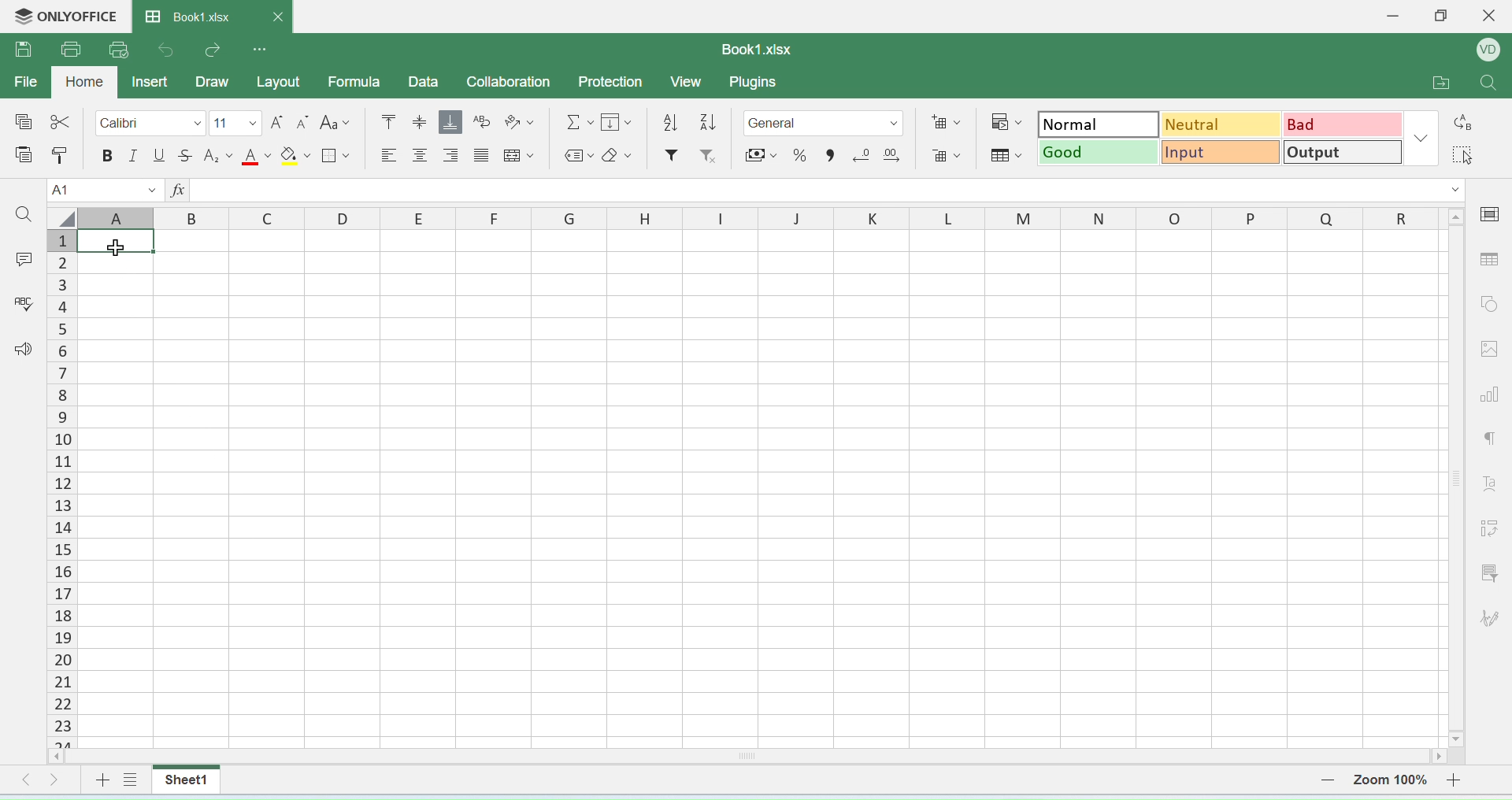  Describe the element at coordinates (945, 122) in the screenshot. I see `add cells` at that location.